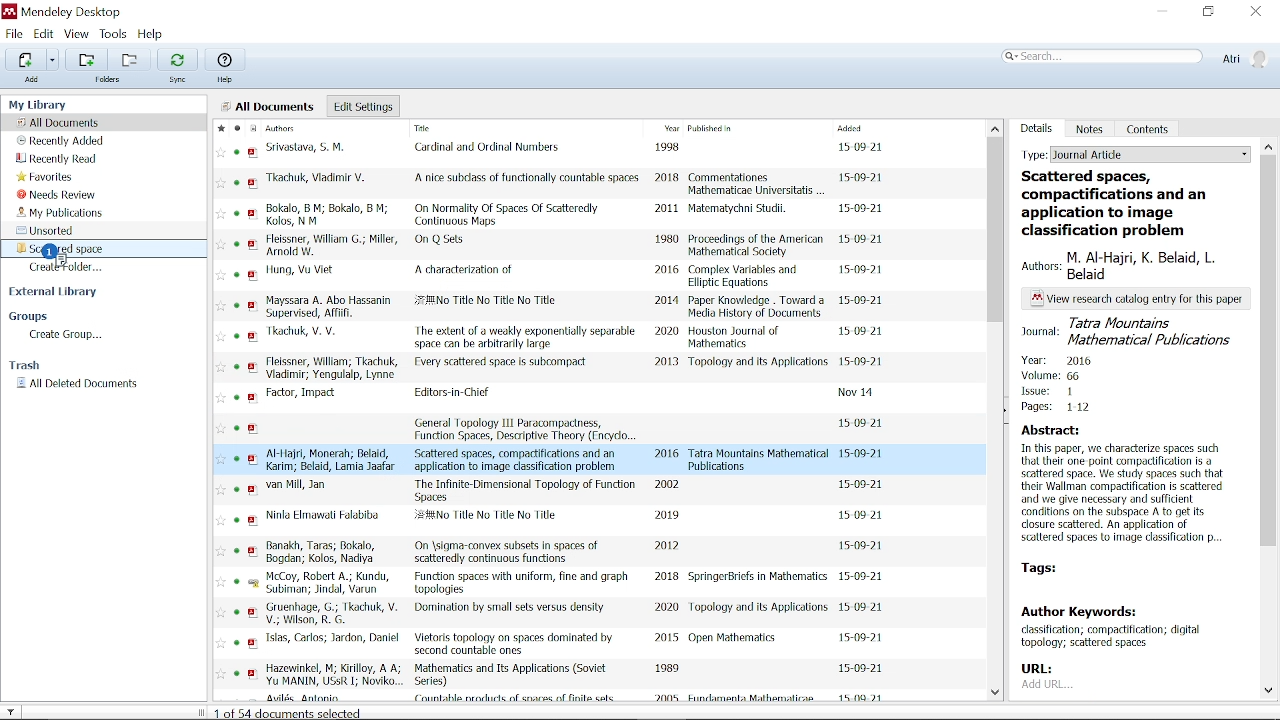  I want to click on date, so click(864, 301).